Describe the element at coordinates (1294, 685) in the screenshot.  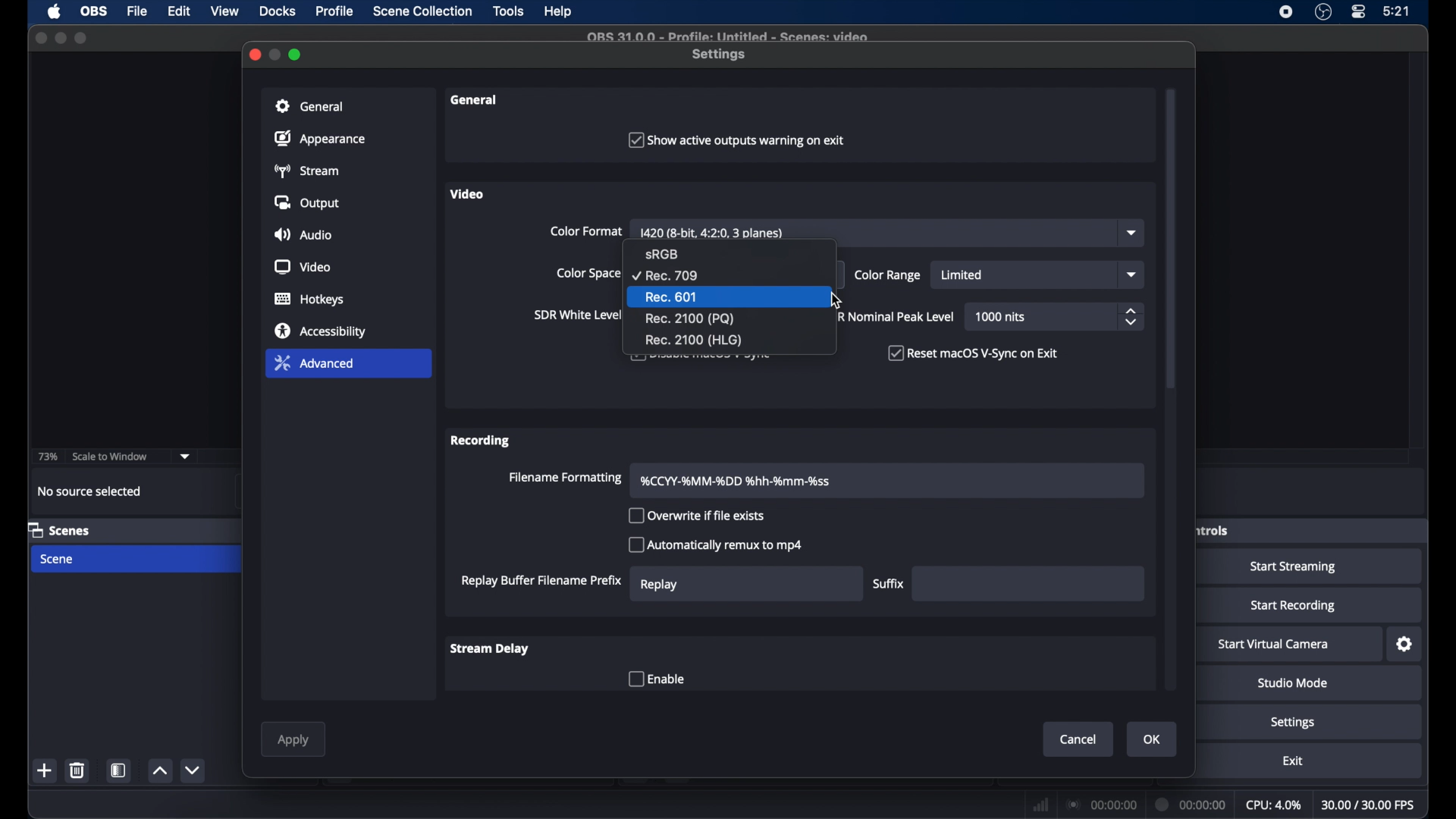
I see `studio mode` at that location.